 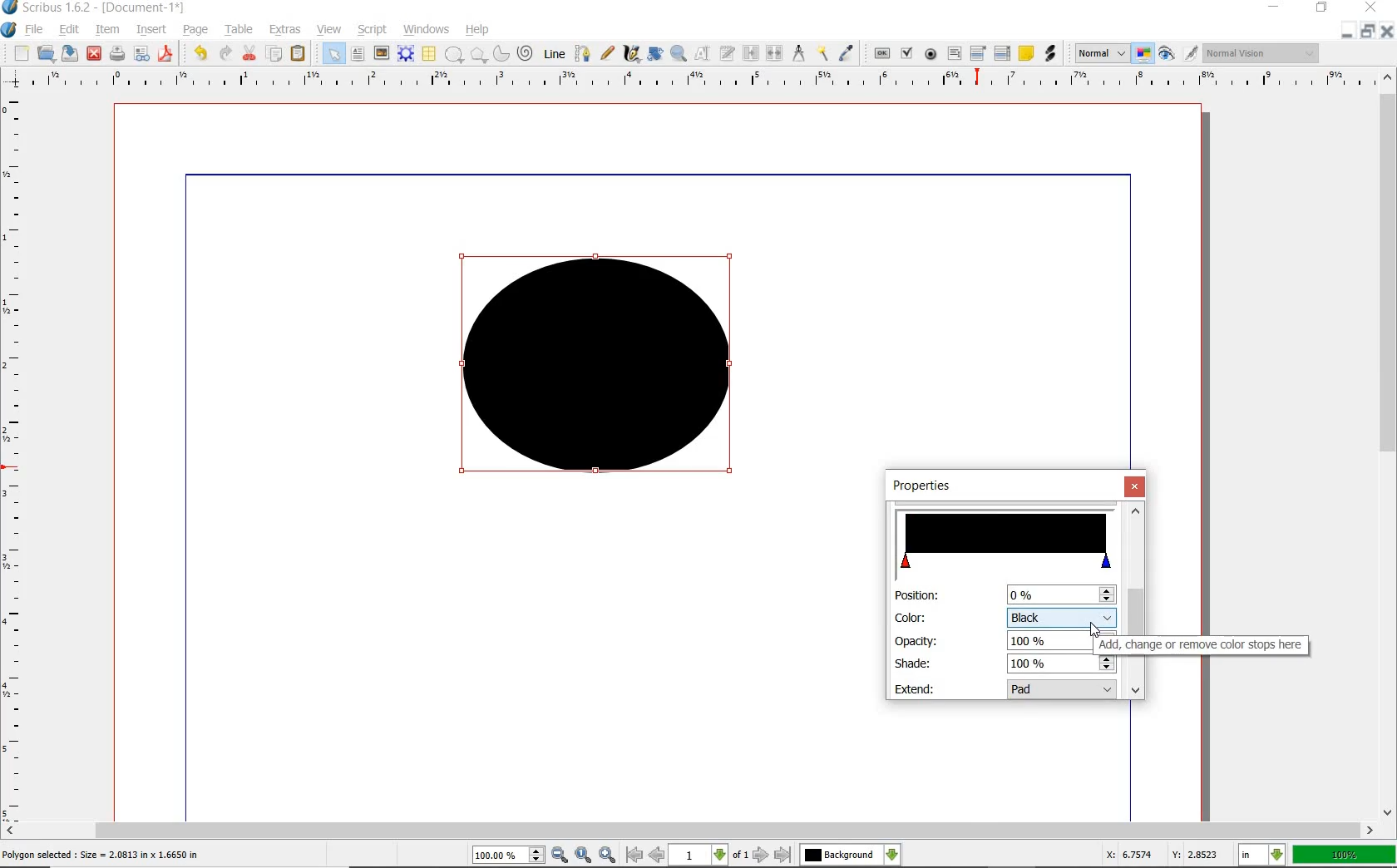 I want to click on first, so click(x=634, y=855).